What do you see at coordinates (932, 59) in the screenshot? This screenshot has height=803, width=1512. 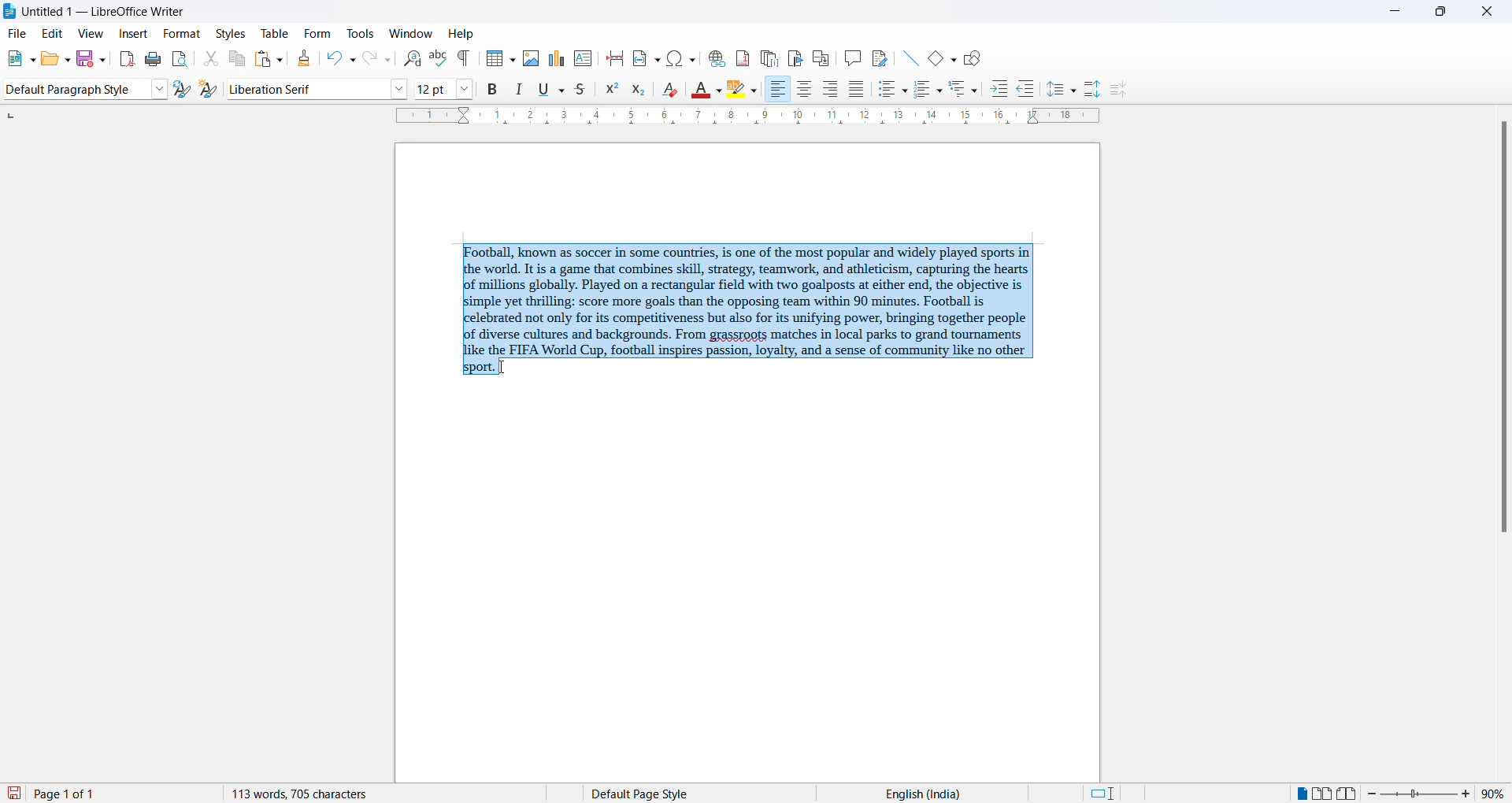 I see `basic shapes` at bounding box center [932, 59].